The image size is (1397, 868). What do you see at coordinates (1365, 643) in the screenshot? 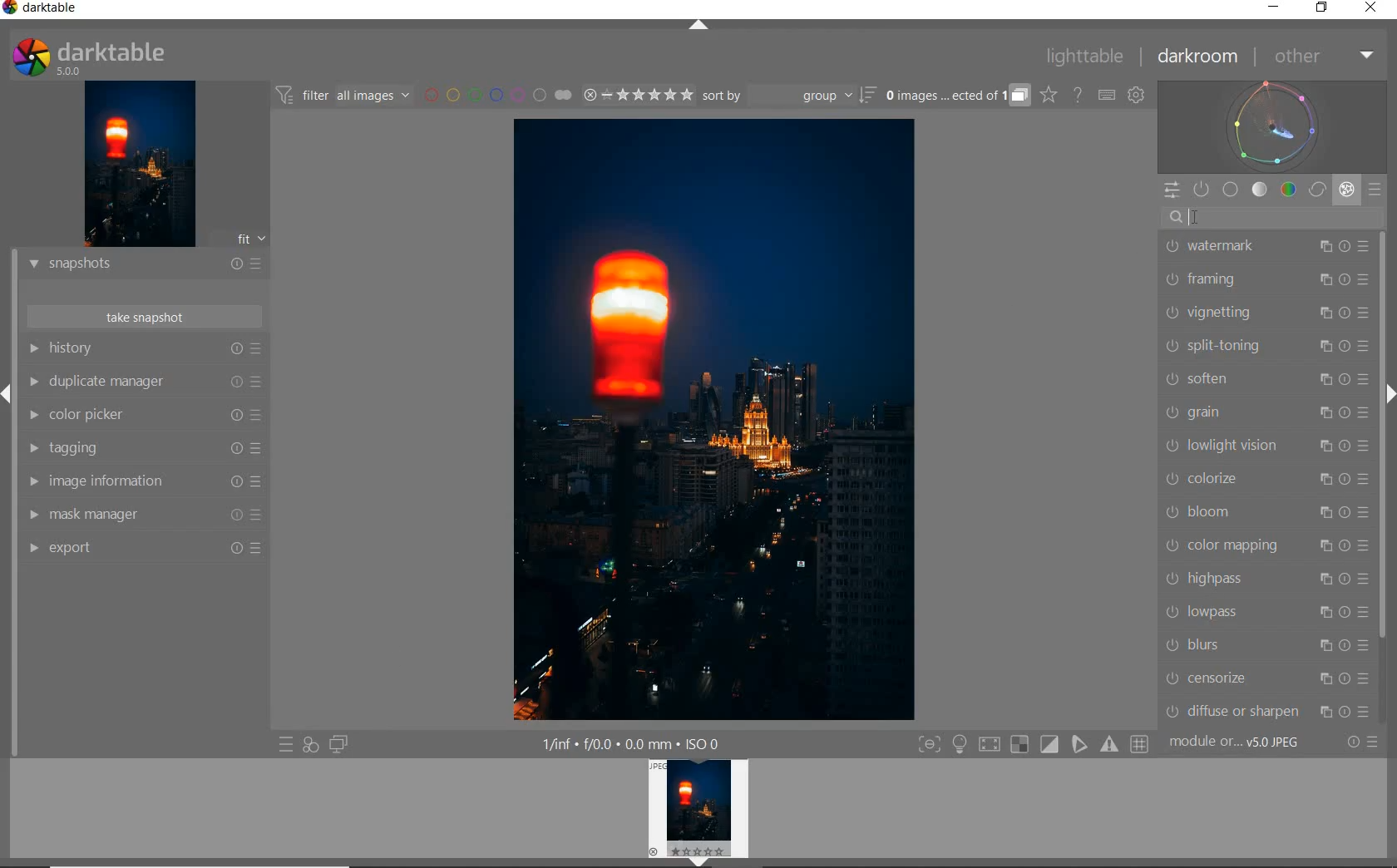
I see `Preset and reset` at bounding box center [1365, 643].